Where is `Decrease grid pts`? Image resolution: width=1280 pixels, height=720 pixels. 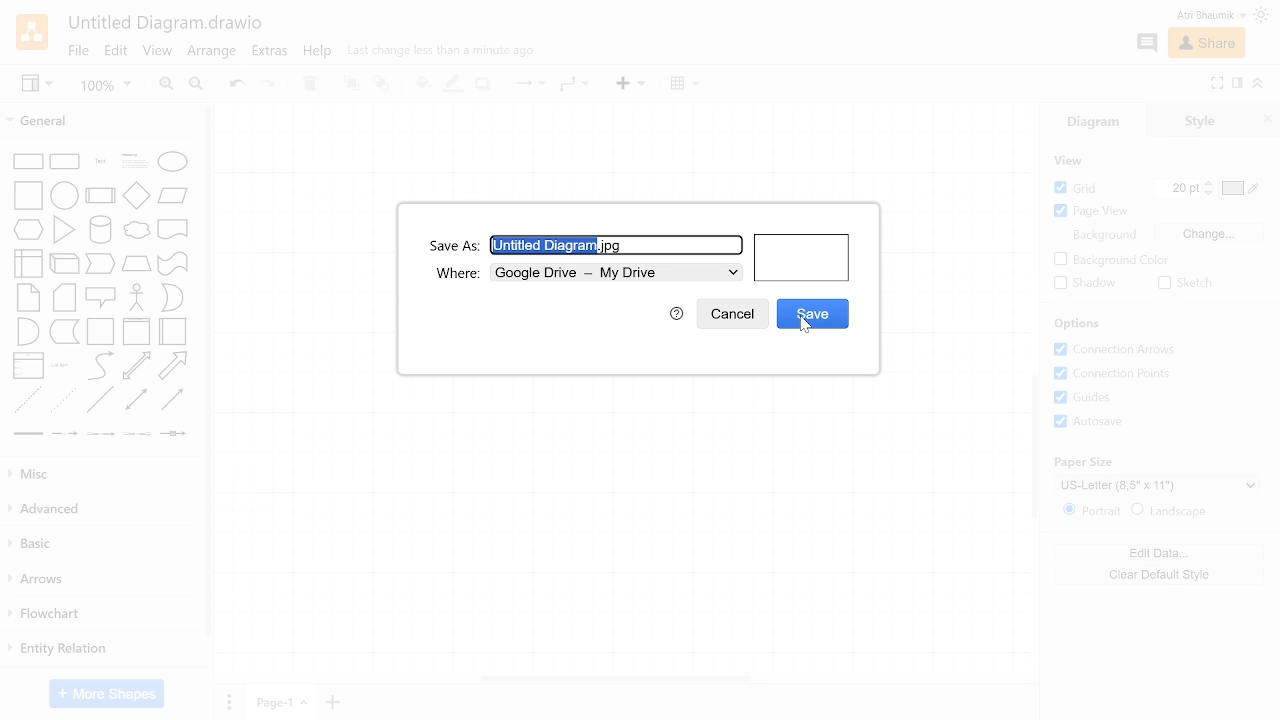
Decrease grid pts is located at coordinates (1210, 195).